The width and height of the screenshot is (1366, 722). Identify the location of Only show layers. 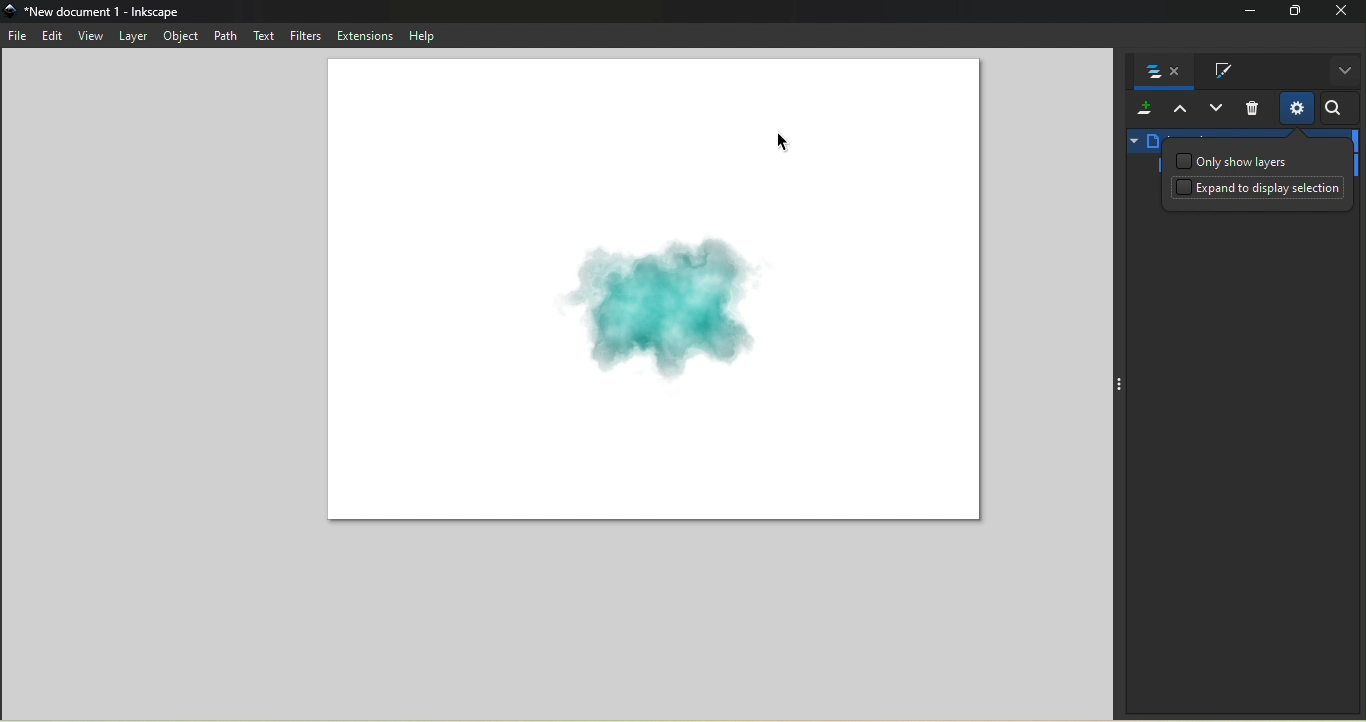
(1233, 161).